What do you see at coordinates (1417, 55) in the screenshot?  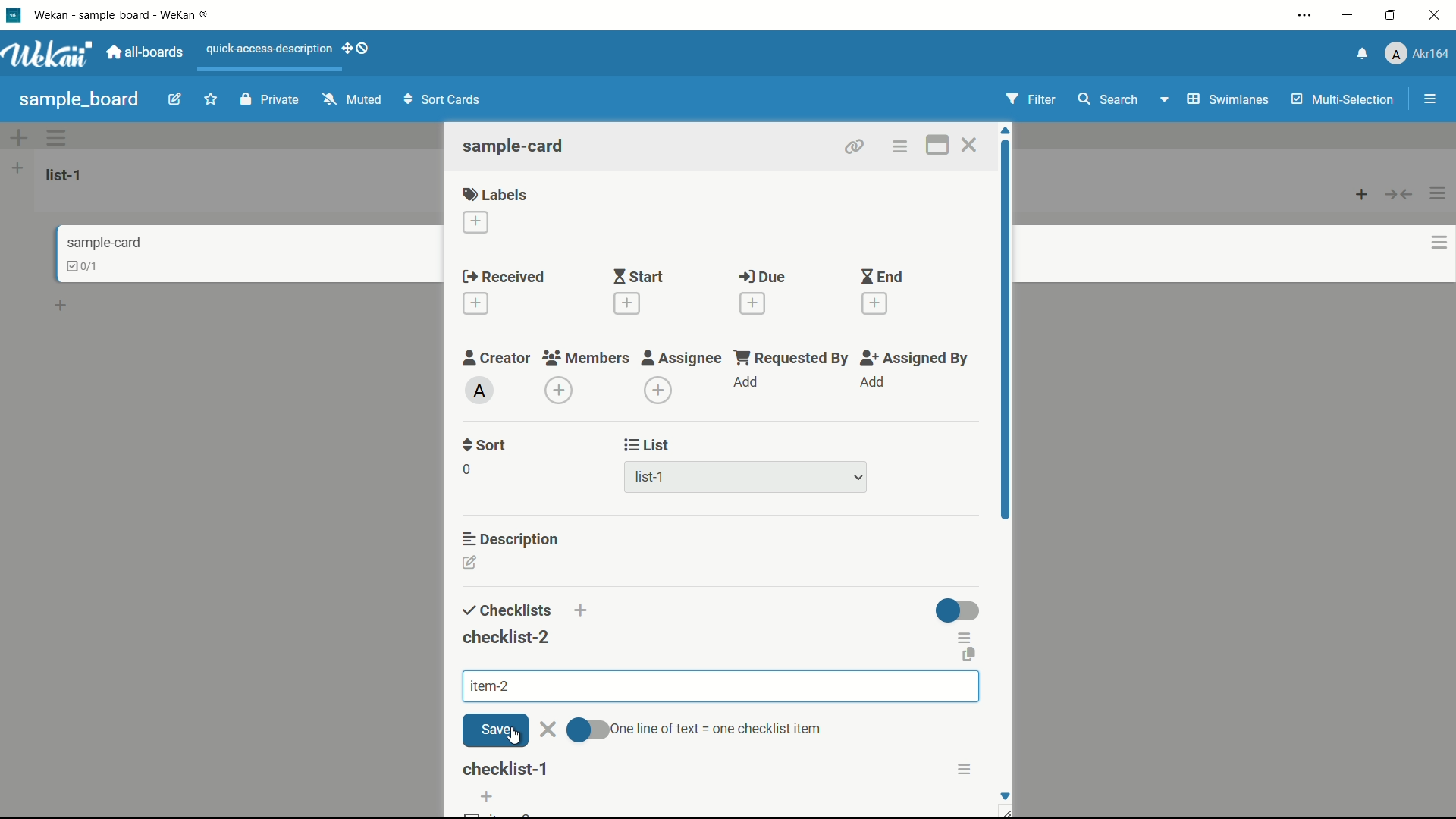 I see `profile` at bounding box center [1417, 55].